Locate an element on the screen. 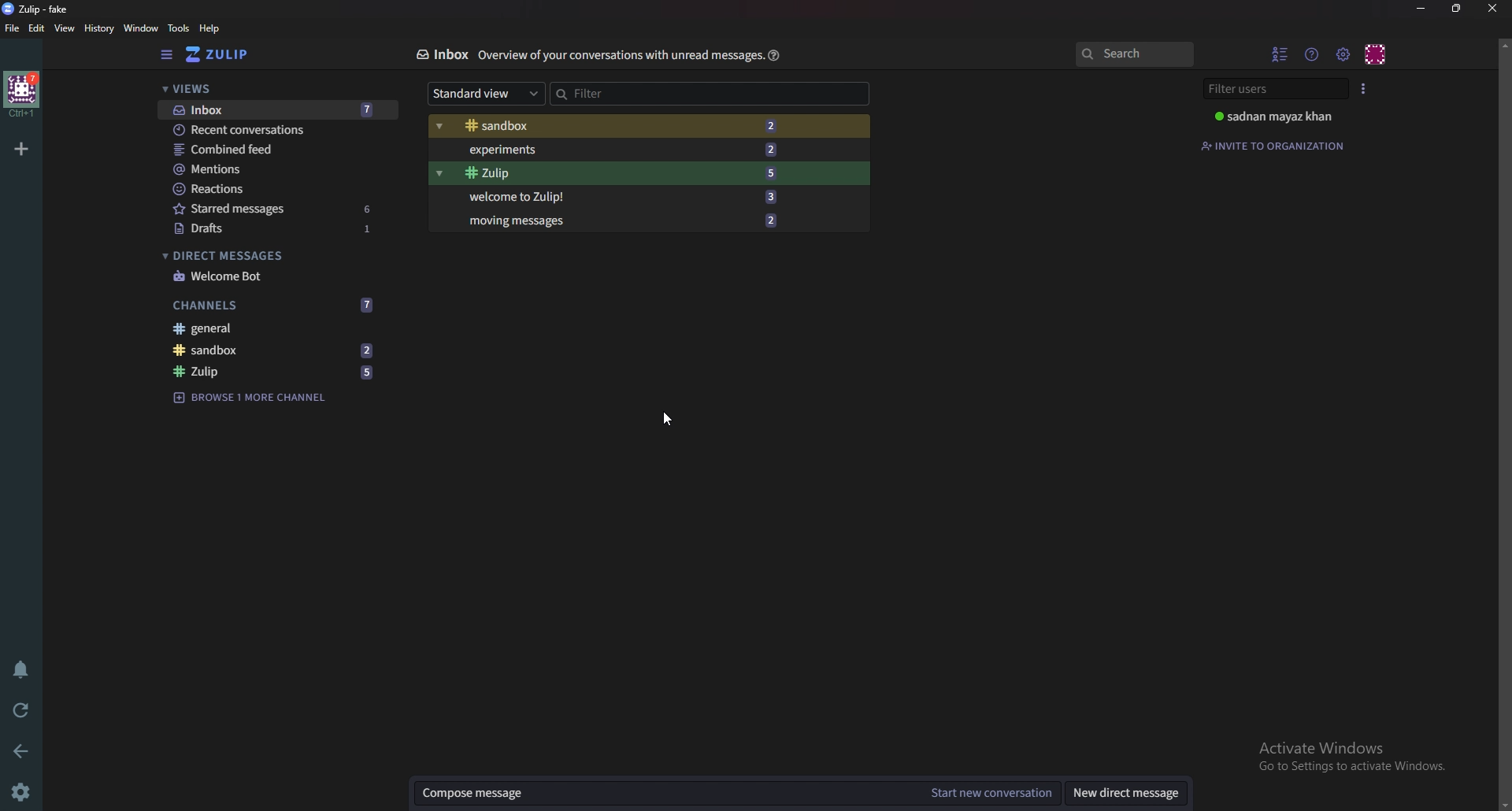  5 is located at coordinates (368, 371).